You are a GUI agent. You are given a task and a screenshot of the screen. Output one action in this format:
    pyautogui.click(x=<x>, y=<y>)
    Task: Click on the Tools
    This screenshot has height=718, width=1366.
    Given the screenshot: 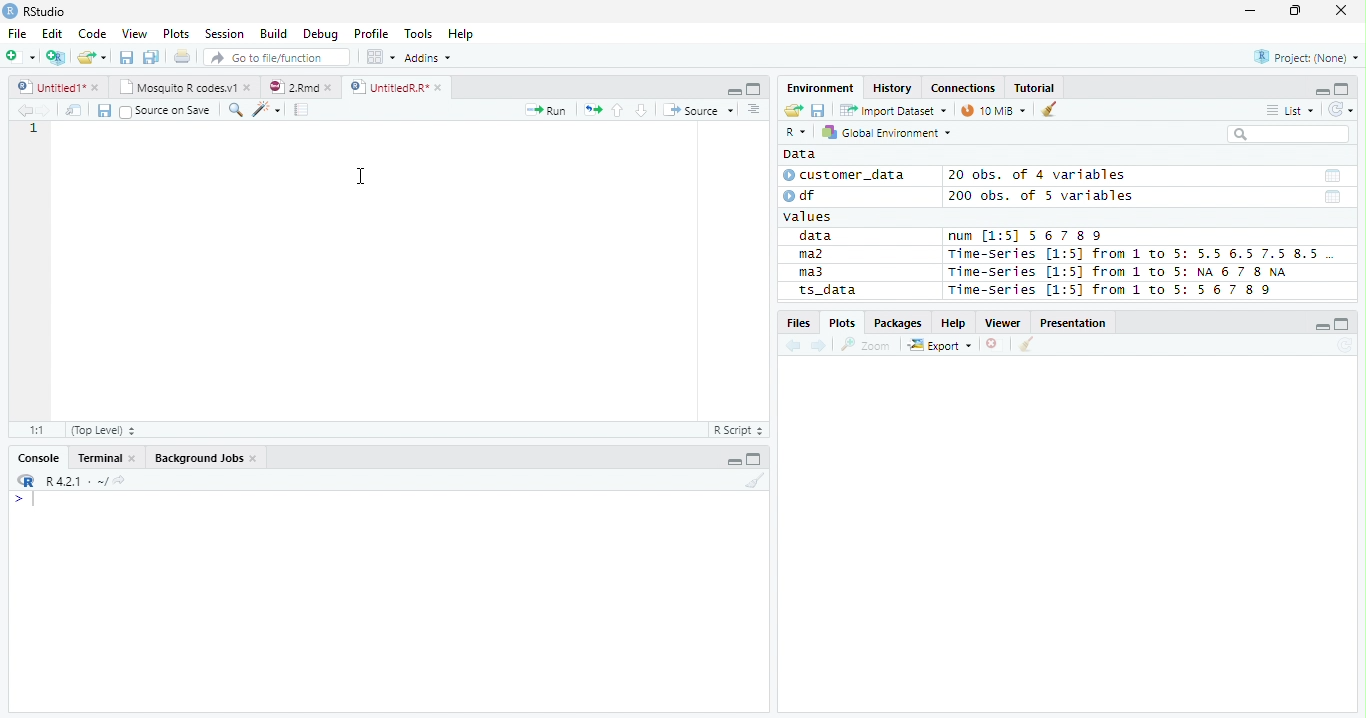 What is the action you would take?
    pyautogui.click(x=422, y=32)
    